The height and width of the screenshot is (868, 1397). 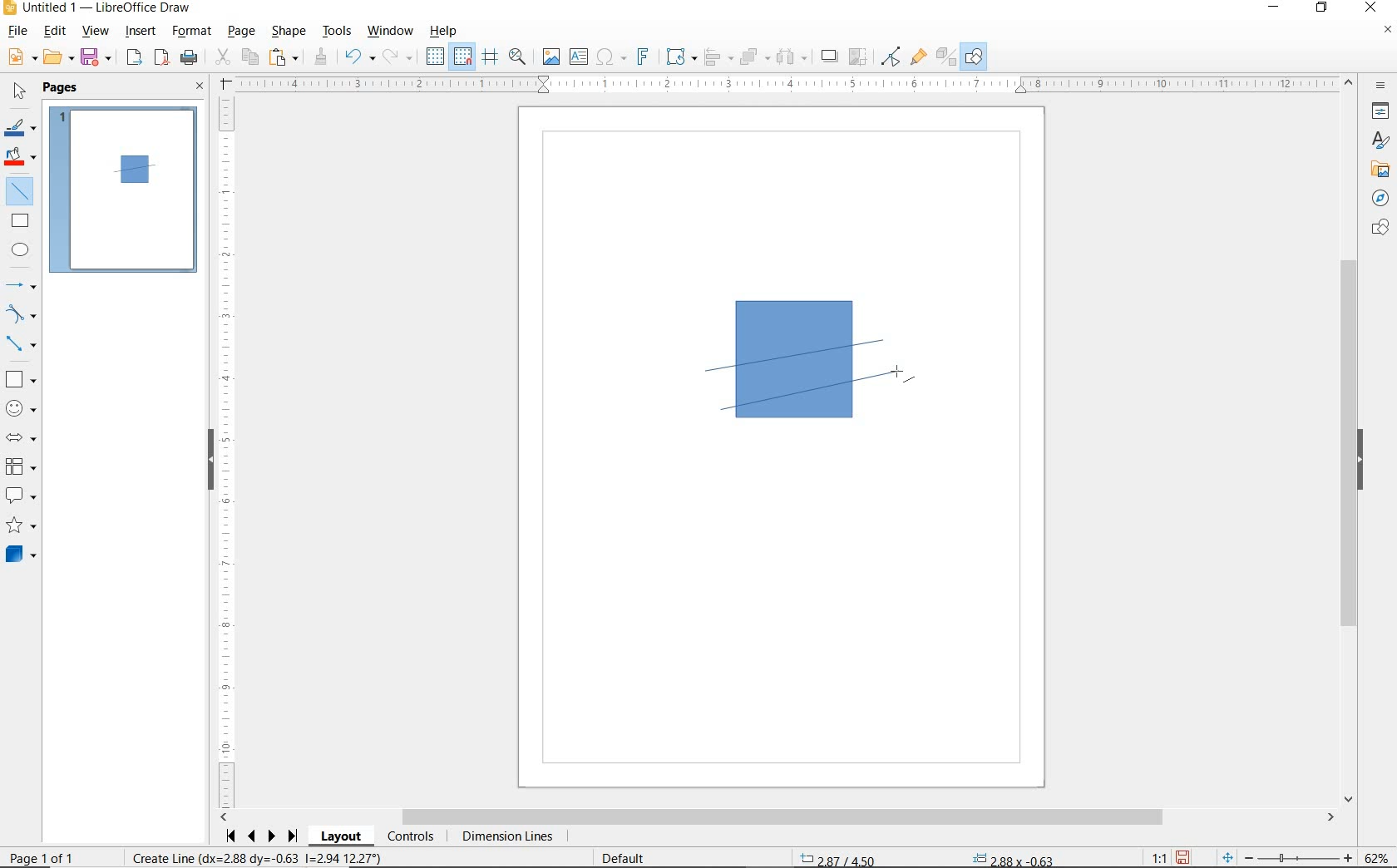 I want to click on SAVE, so click(x=97, y=58).